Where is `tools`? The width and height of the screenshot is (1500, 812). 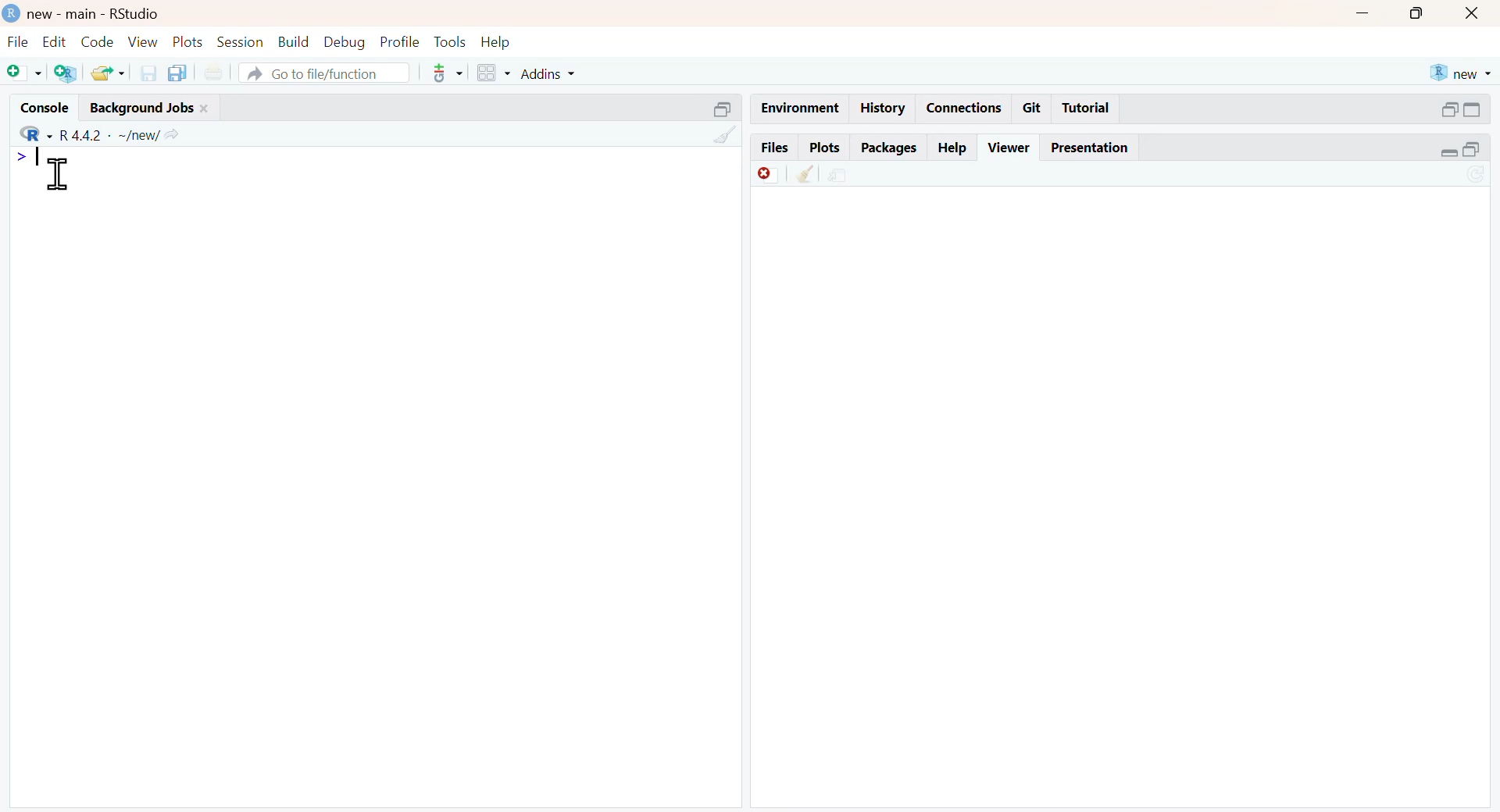
tools is located at coordinates (450, 41).